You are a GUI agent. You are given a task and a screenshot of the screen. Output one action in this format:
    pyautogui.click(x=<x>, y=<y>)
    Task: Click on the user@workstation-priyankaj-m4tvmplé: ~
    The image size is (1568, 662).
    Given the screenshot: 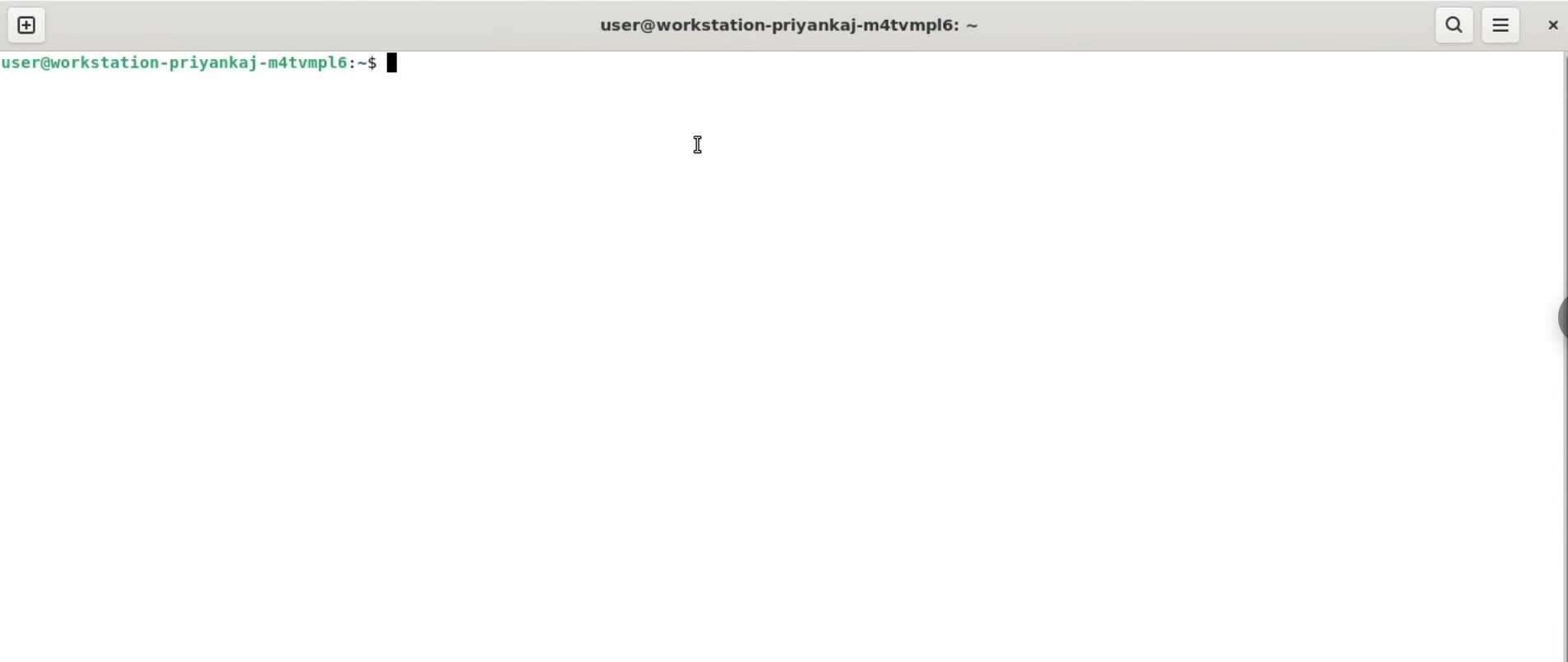 What is the action you would take?
    pyautogui.click(x=796, y=26)
    